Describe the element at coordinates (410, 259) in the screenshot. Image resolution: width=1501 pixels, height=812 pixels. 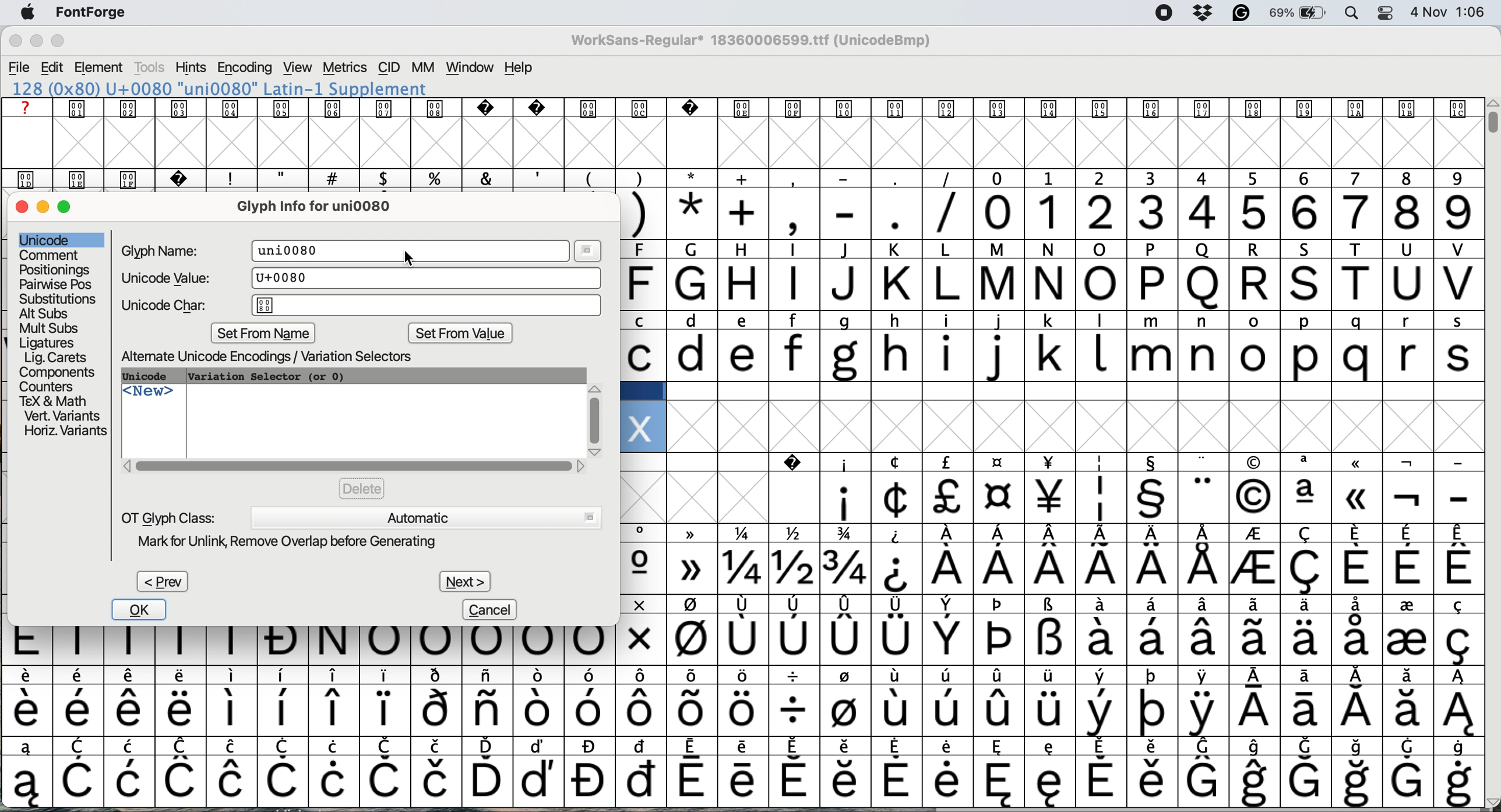
I see `cursor` at that location.